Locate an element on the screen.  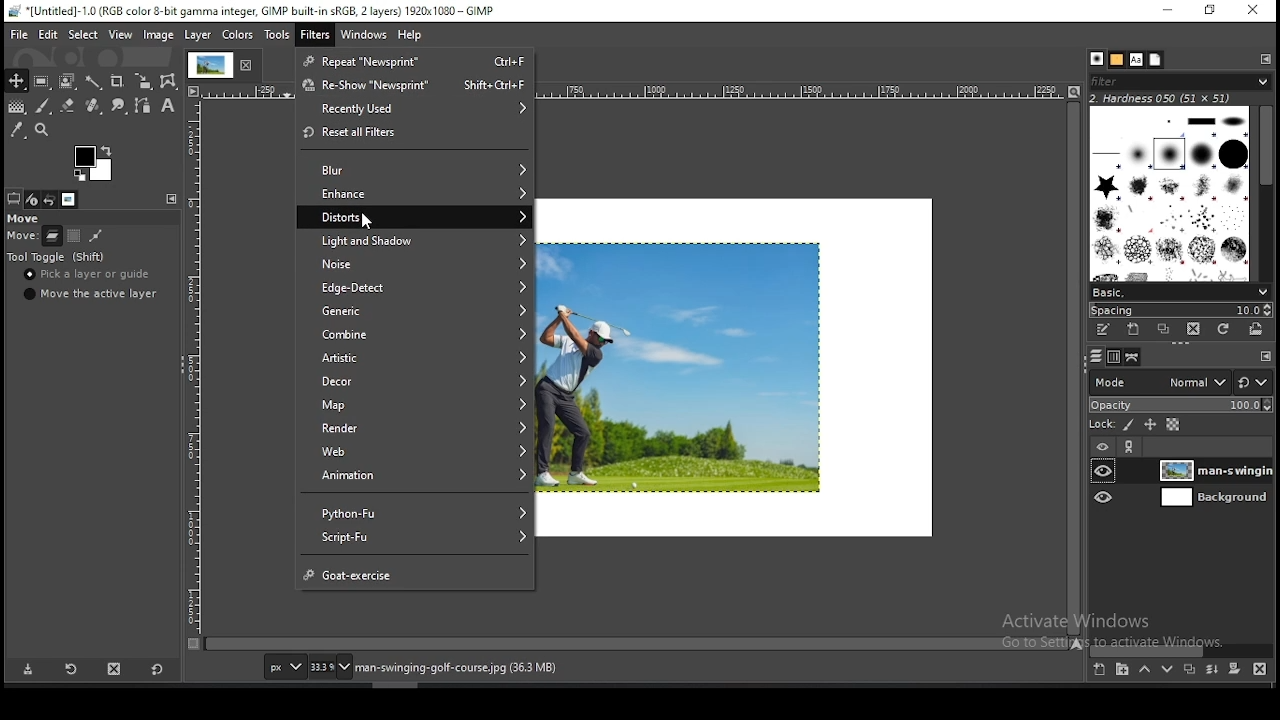
artistic is located at coordinates (415, 360).